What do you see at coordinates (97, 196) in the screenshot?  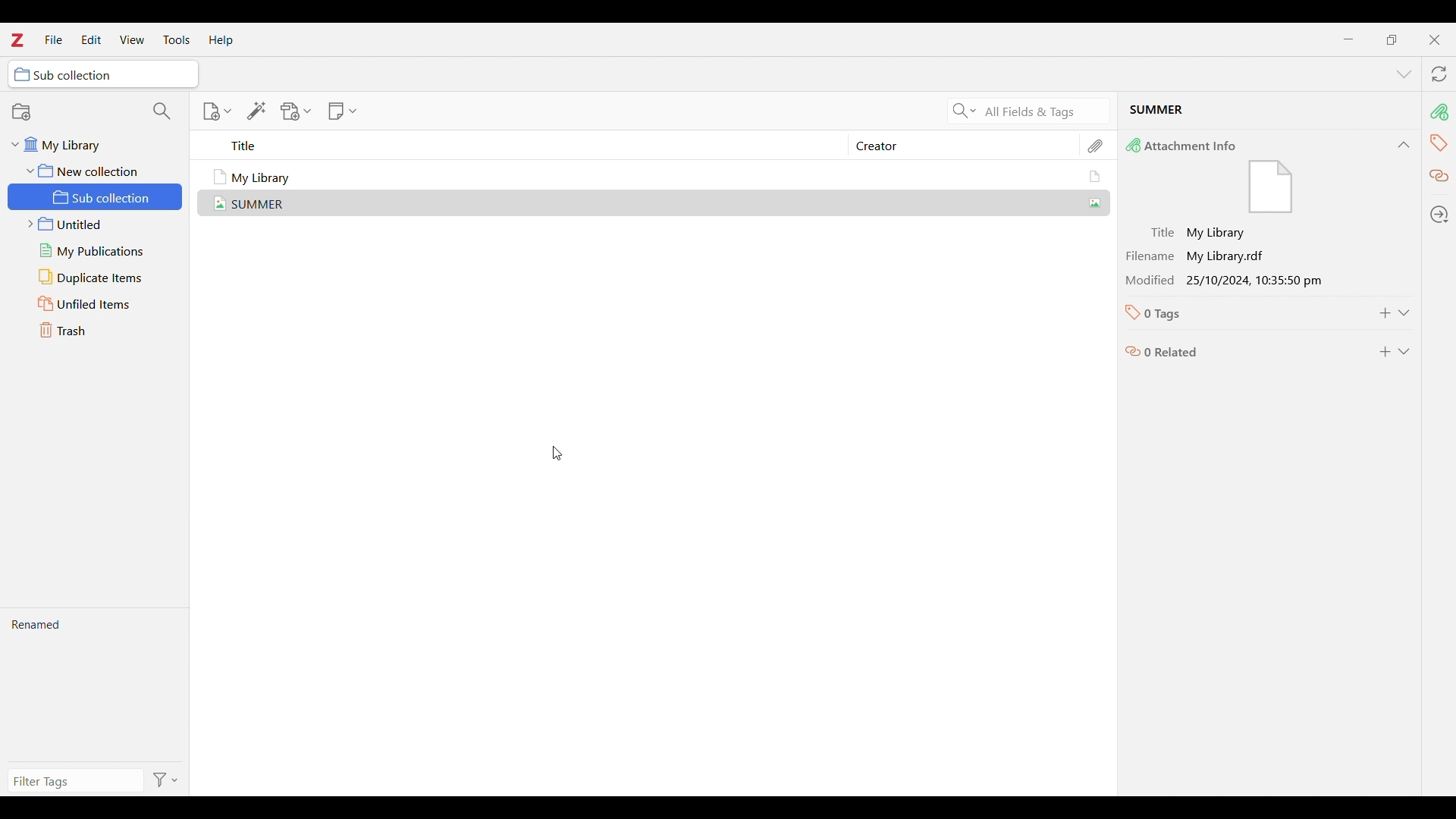 I see `Sub collection` at bounding box center [97, 196].